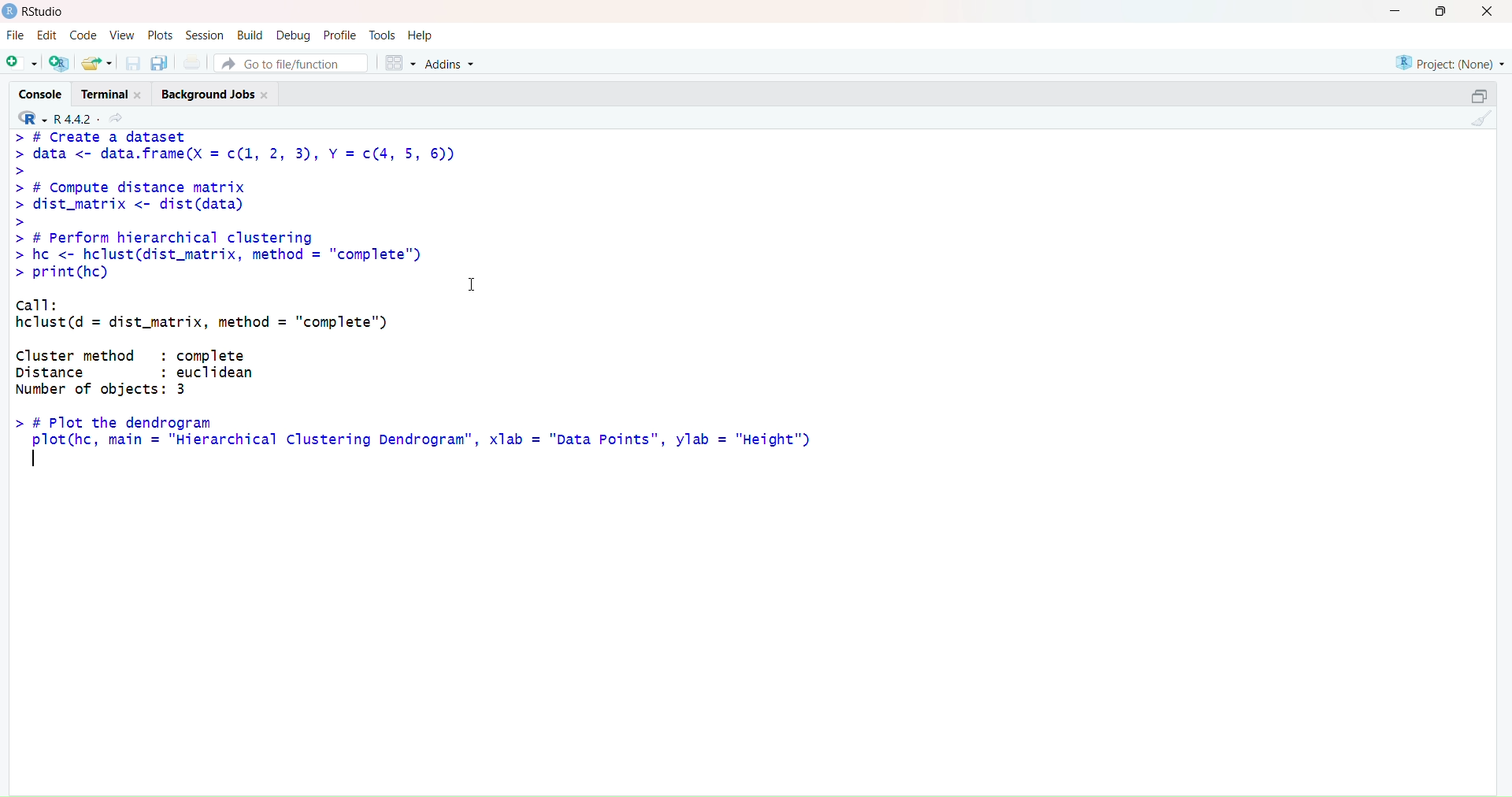 The height and width of the screenshot is (797, 1512). Describe the element at coordinates (84, 36) in the screenshot. I see `Code` at that location.